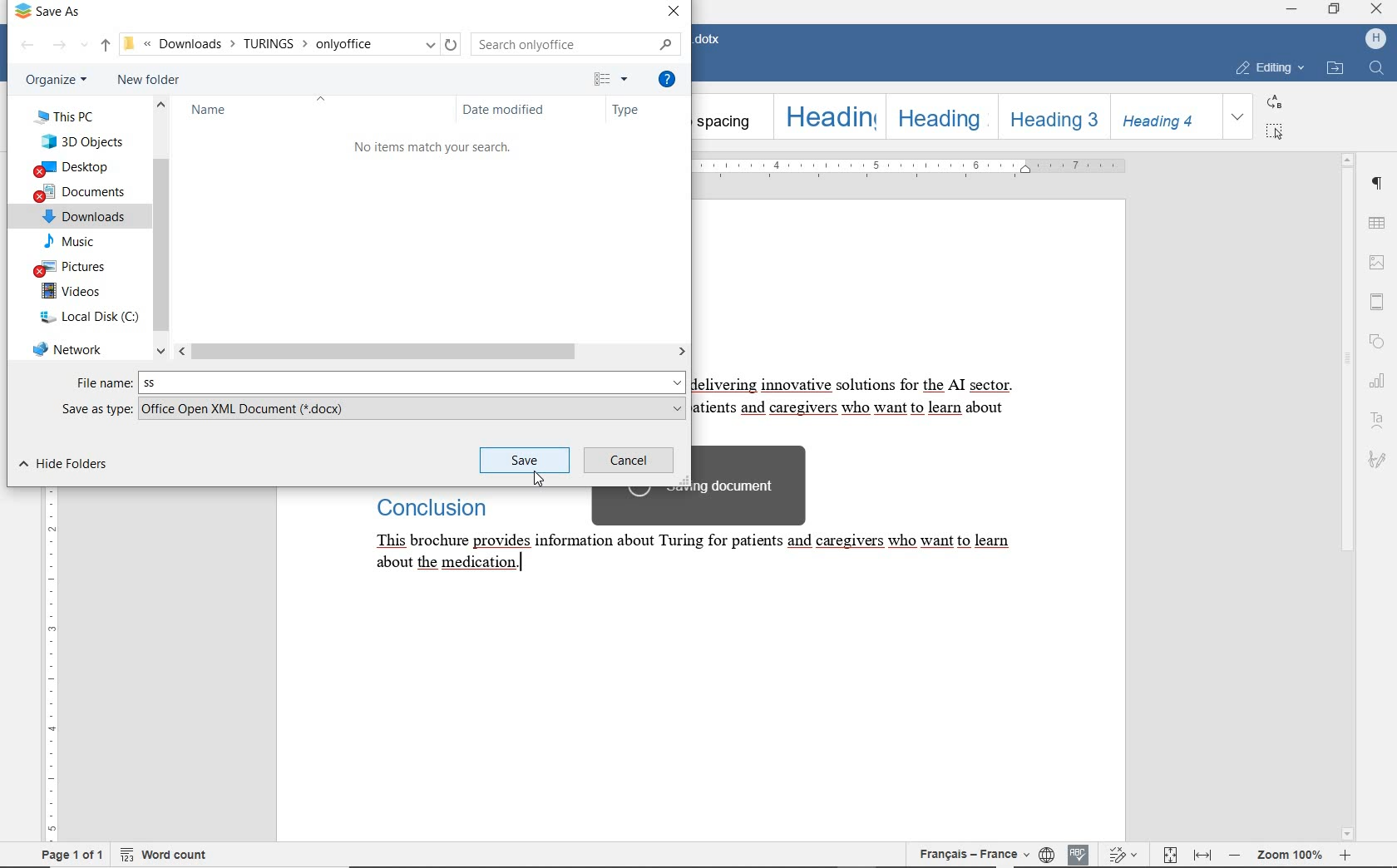 The height and width of the screenshot is (868, 1397). I want to click on HEADING 3, so click(1049, 117).